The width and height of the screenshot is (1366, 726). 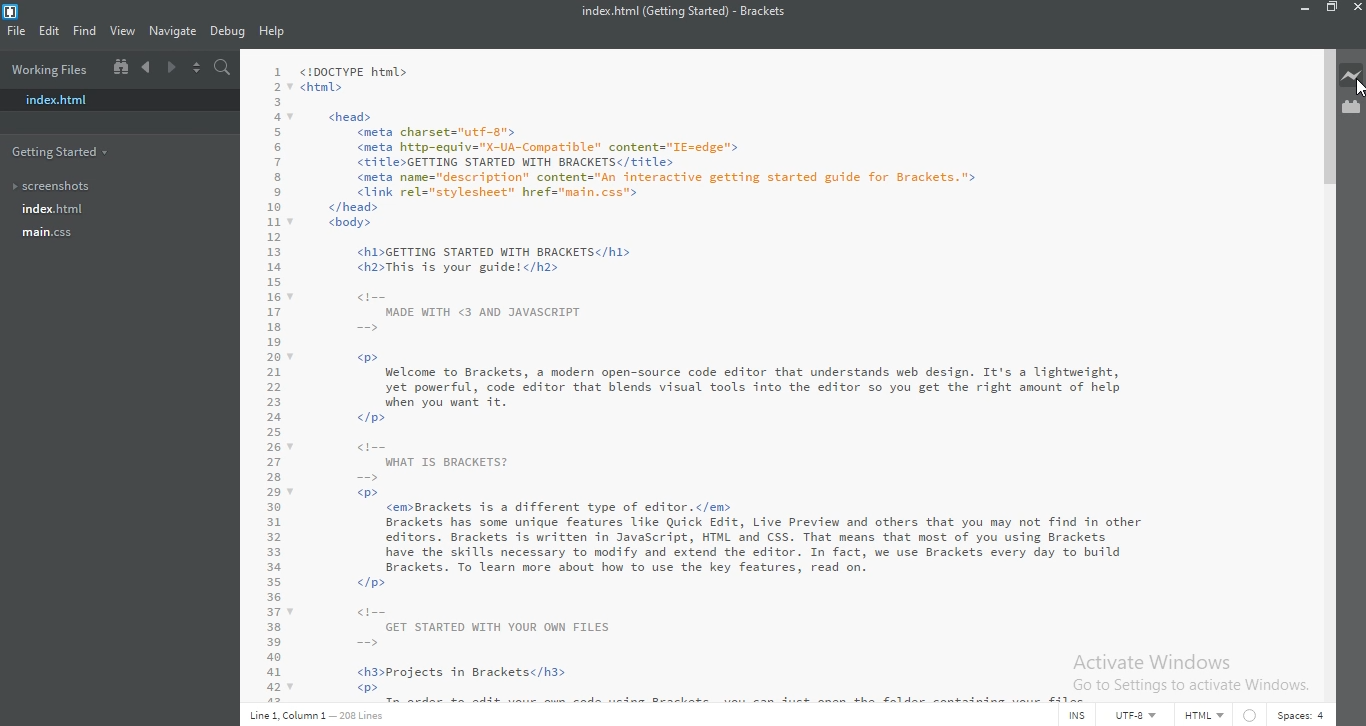 What do you see at coordinates (774, 376) in the screenshot?
I see `welcome page code` at bounding box center [774, 376].